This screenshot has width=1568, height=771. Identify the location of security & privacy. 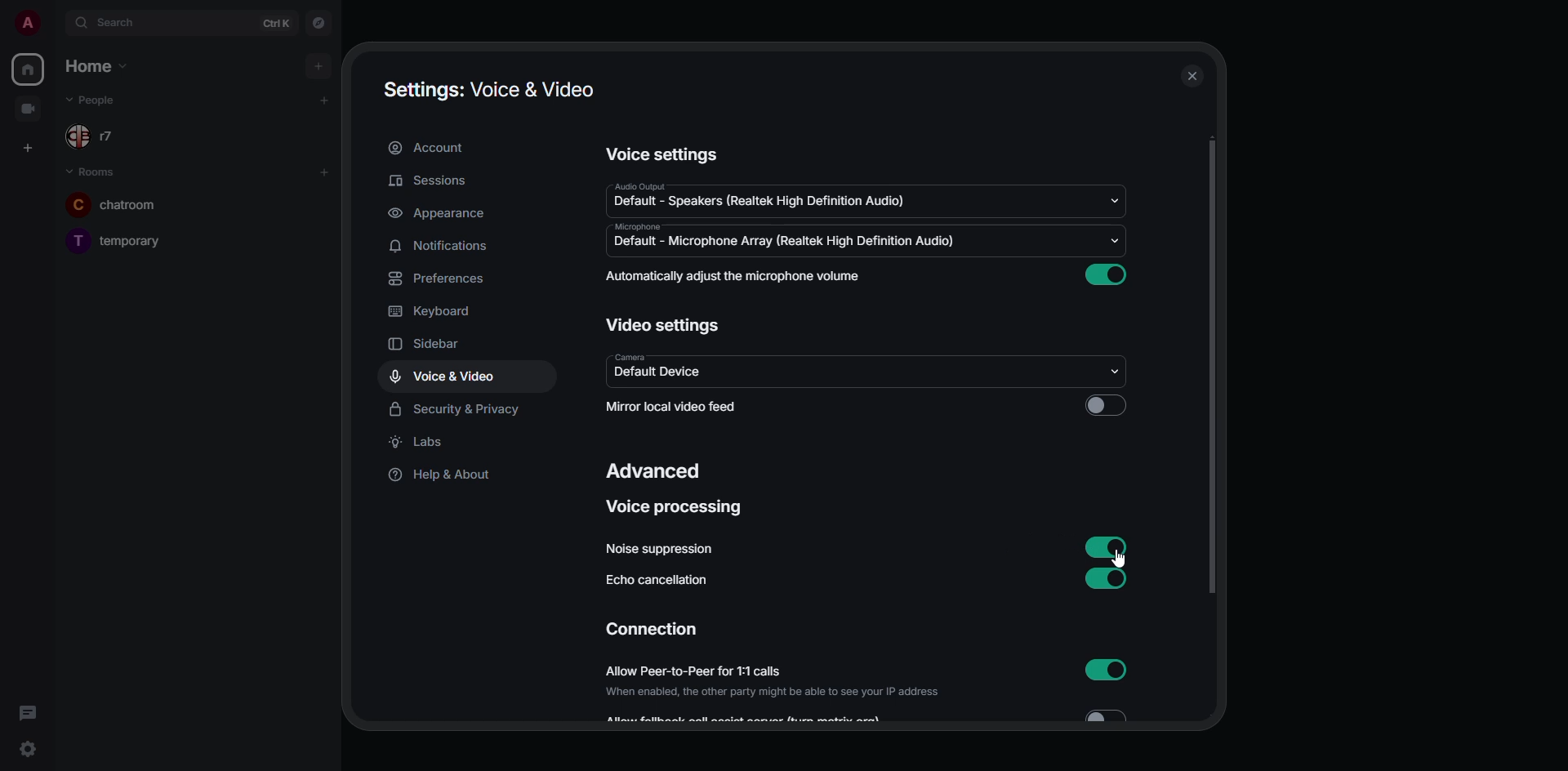
(458, 407).